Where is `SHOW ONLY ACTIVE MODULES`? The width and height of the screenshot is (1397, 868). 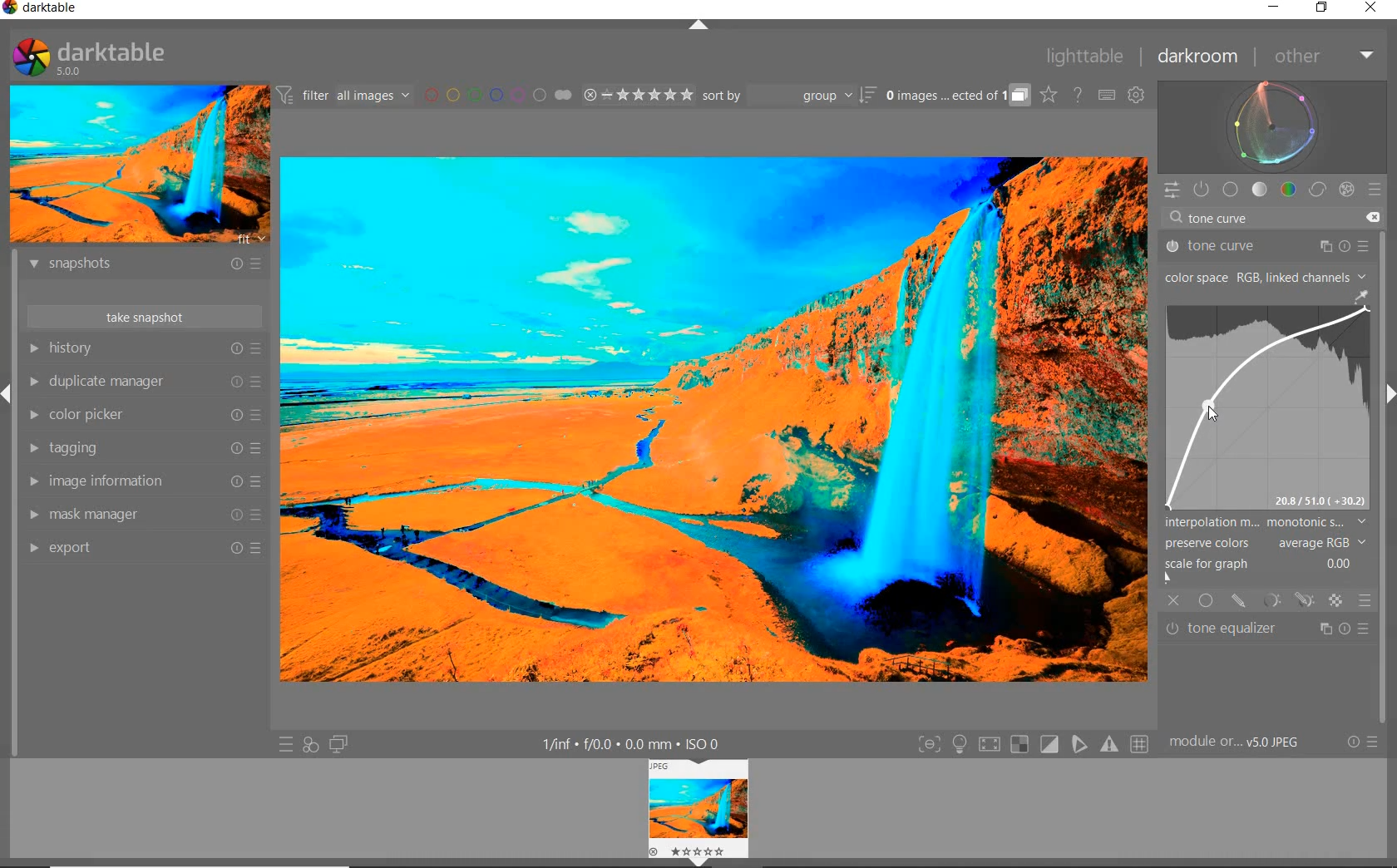 SHOW ONLY ACTIVE MODULES is located at coordinates (1202, 190).